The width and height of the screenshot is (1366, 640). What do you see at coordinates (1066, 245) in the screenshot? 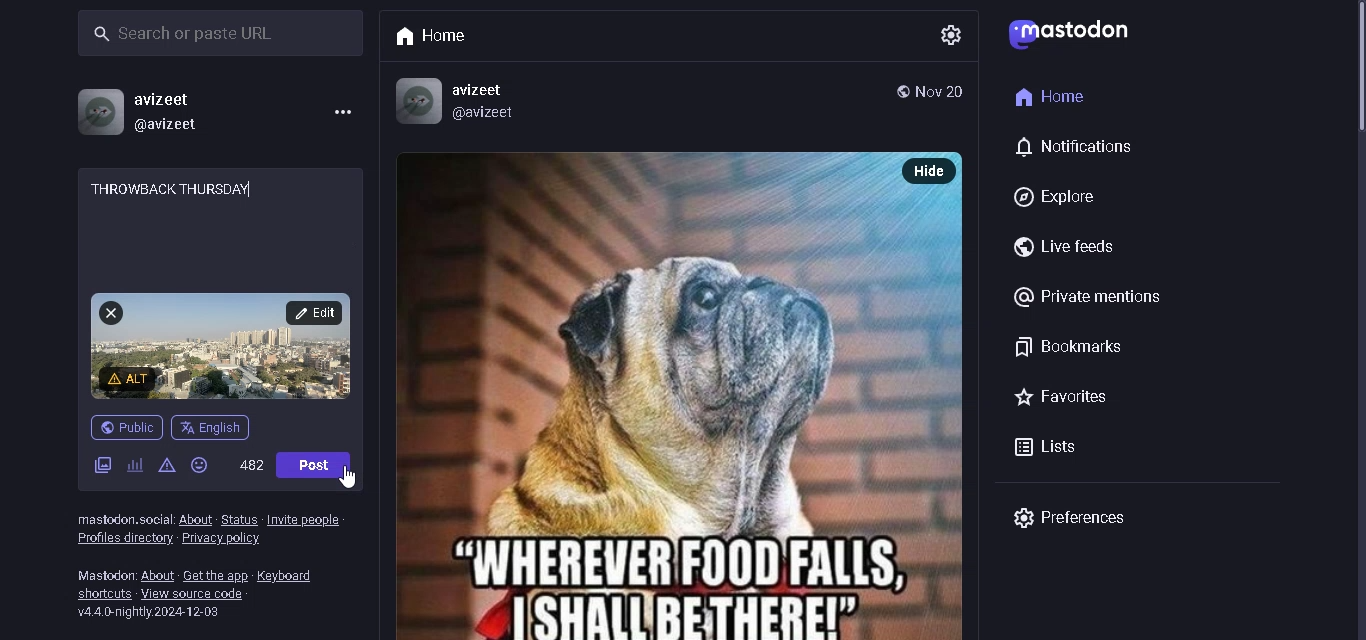
I see `live feeds` at bounding box center [1066, 245].